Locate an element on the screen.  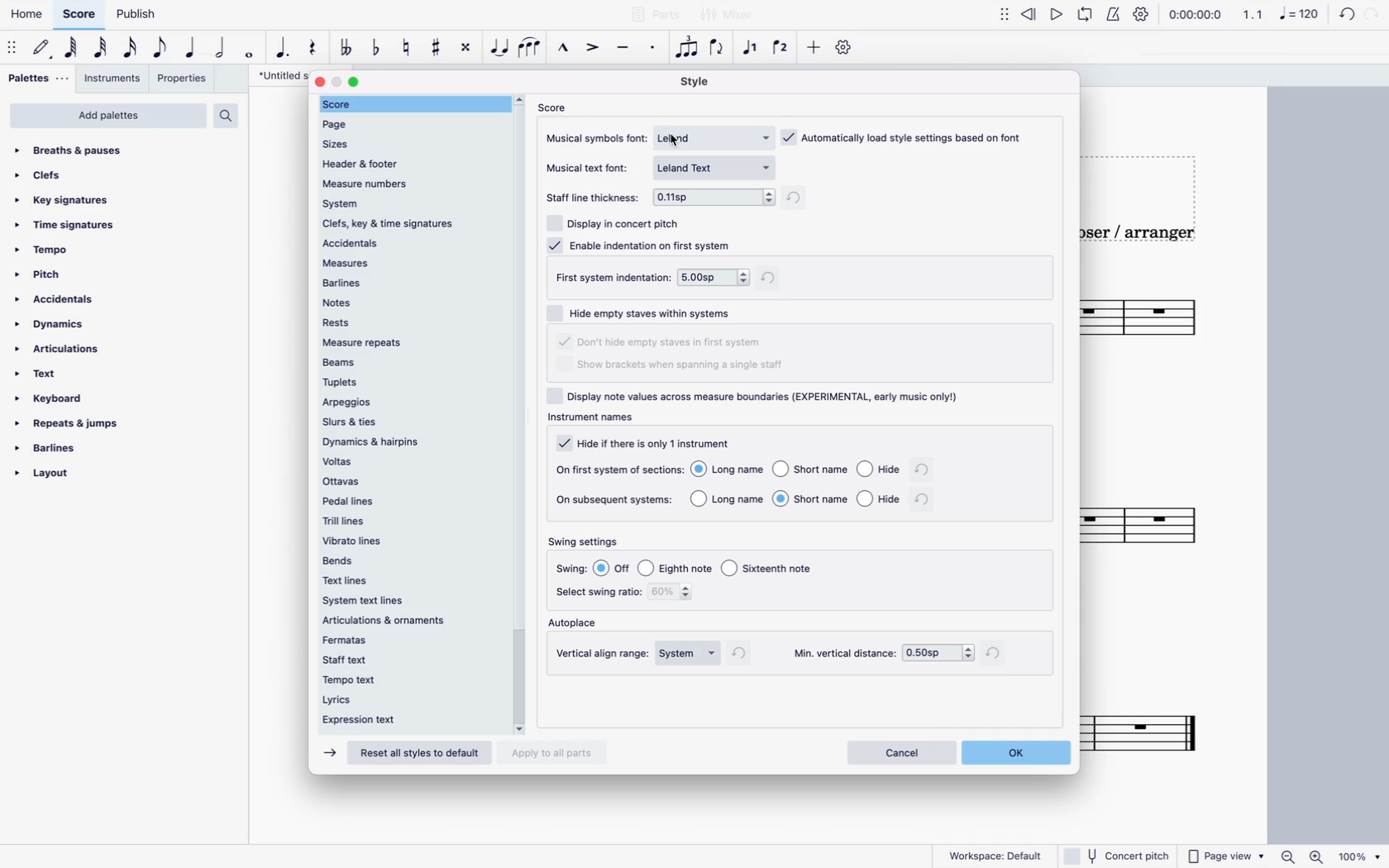
move is located at coordinates (12, 47).